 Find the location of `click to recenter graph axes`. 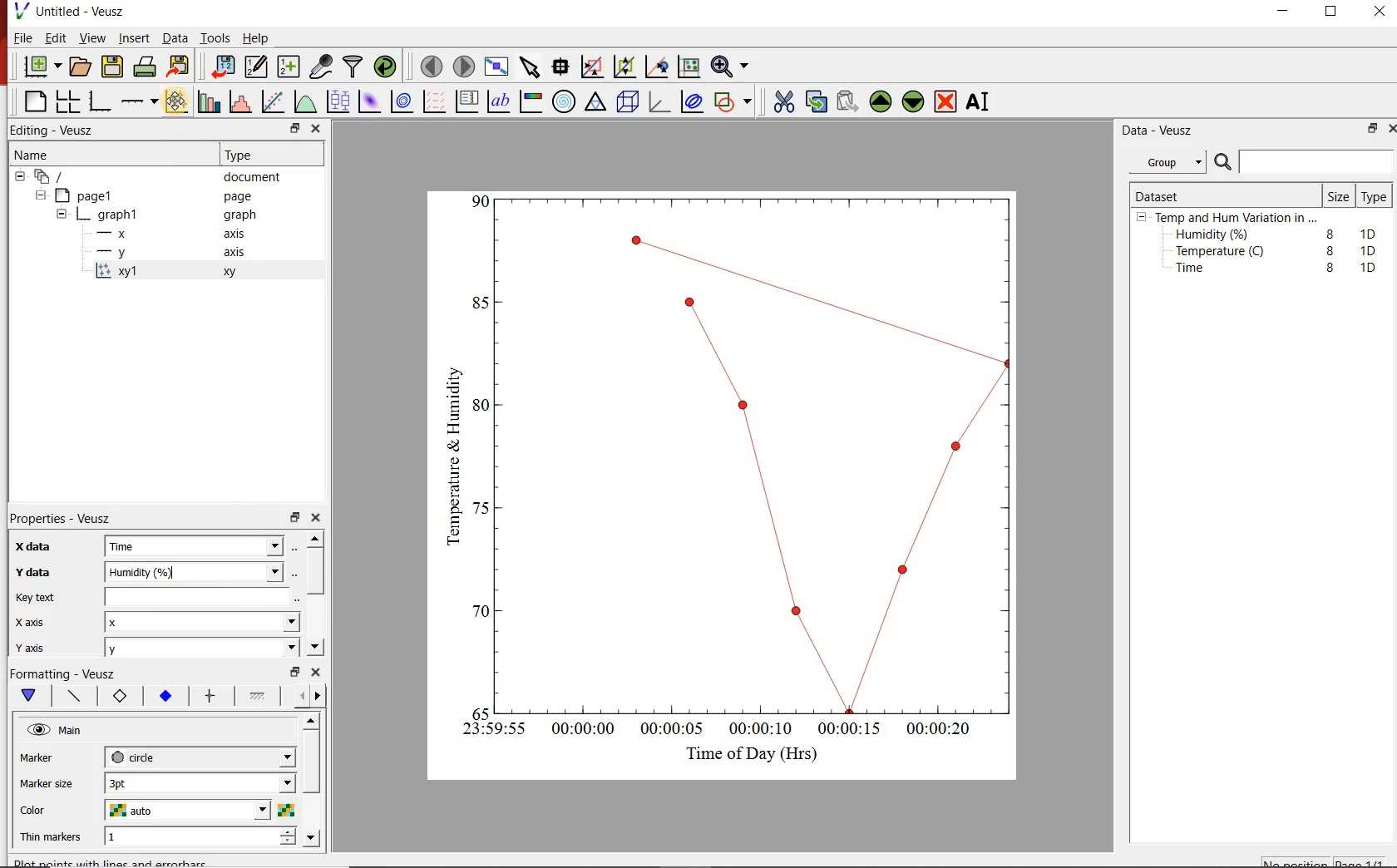

click to recenter graph axes is located at coordinates (657, 67).